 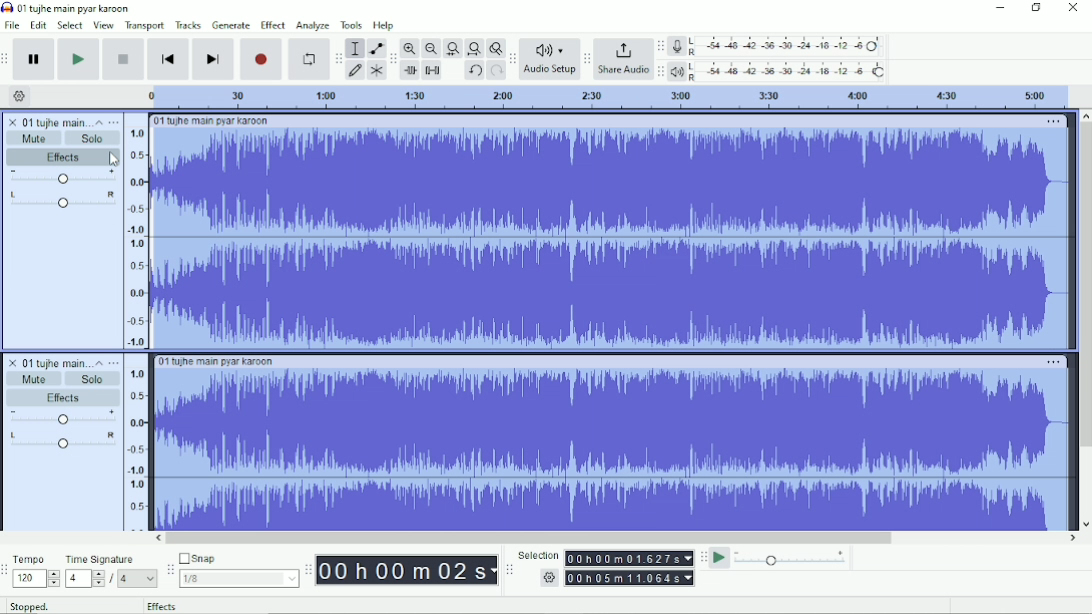 I want to click on Volume, so click(x=62, y=419).